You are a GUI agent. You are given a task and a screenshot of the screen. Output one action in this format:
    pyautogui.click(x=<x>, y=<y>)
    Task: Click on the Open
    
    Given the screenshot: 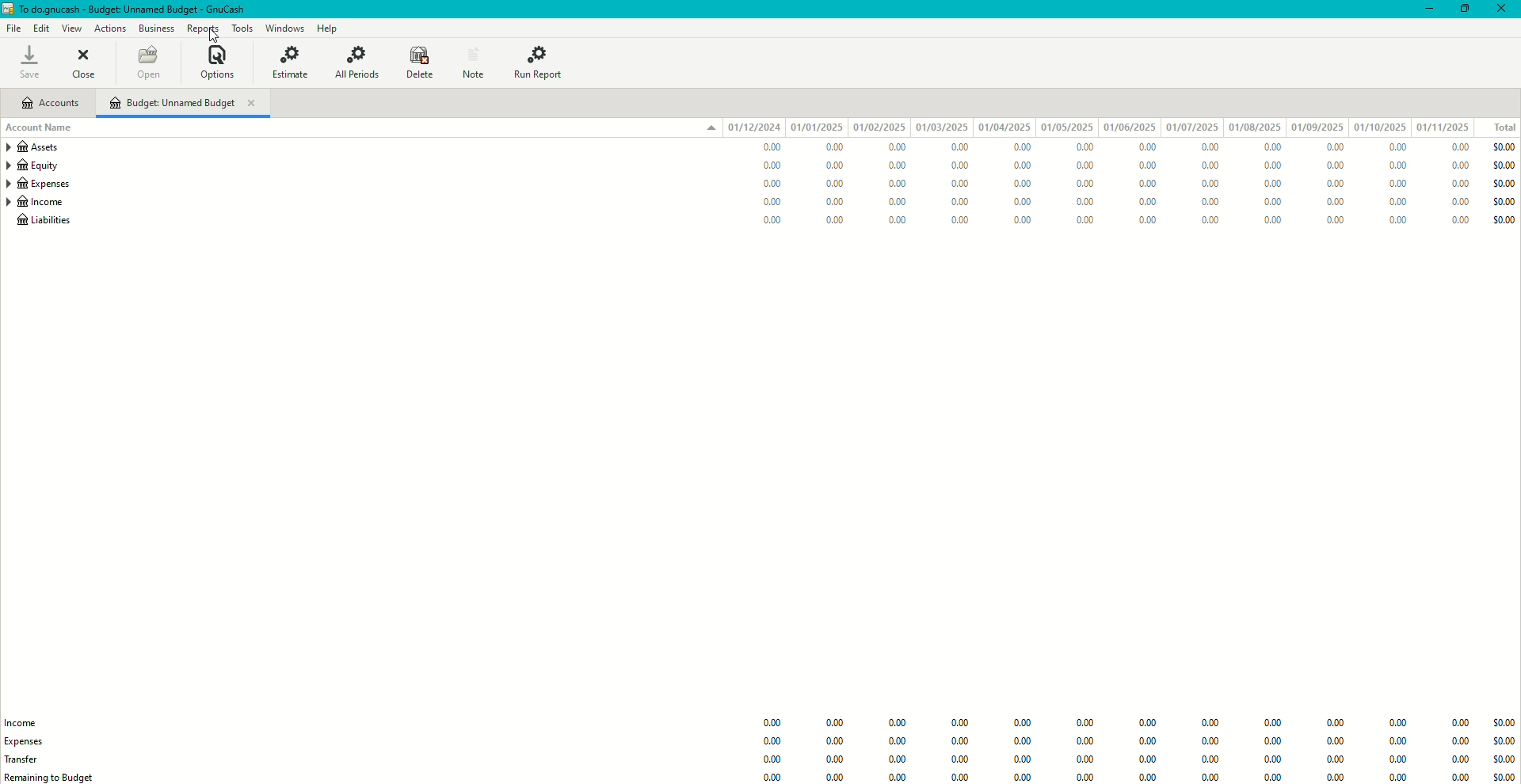 What is the action you would take?
    pyautogui.click(x=149, y=63)
    